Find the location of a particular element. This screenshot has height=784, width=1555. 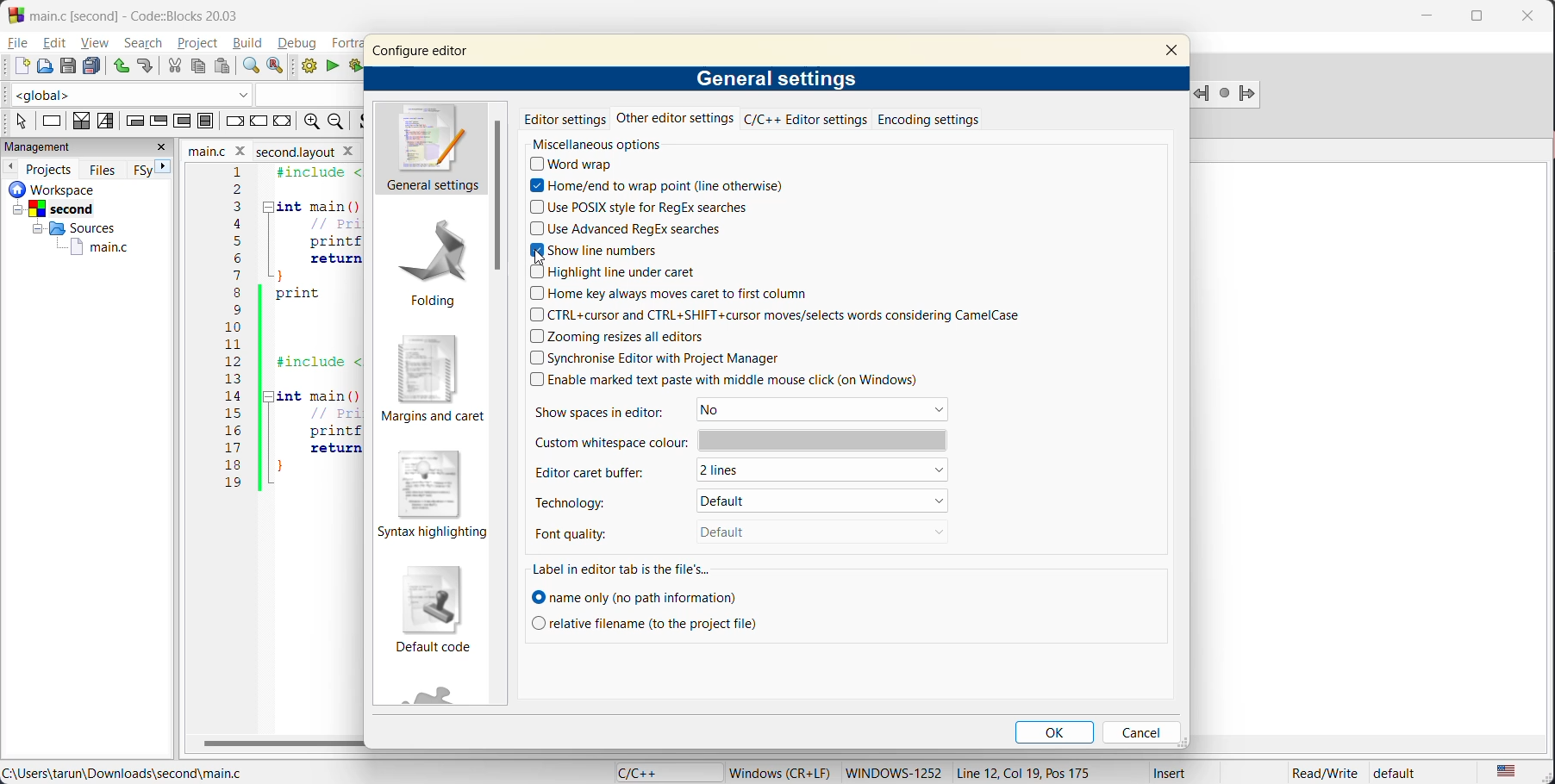

file name is located at coordinates (266, 151).